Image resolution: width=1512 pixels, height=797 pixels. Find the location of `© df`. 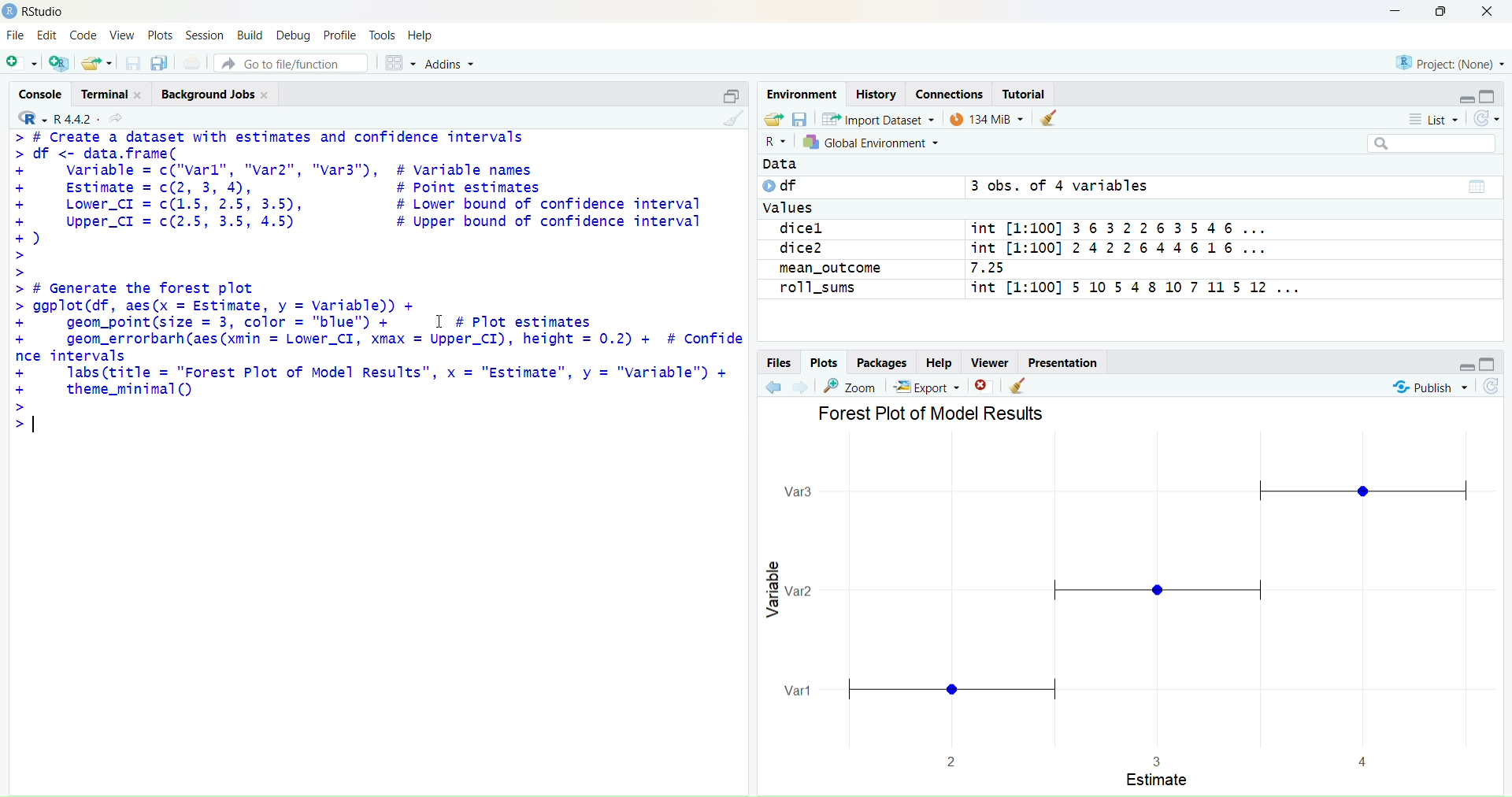

© df is located at coordinates (782, 186).